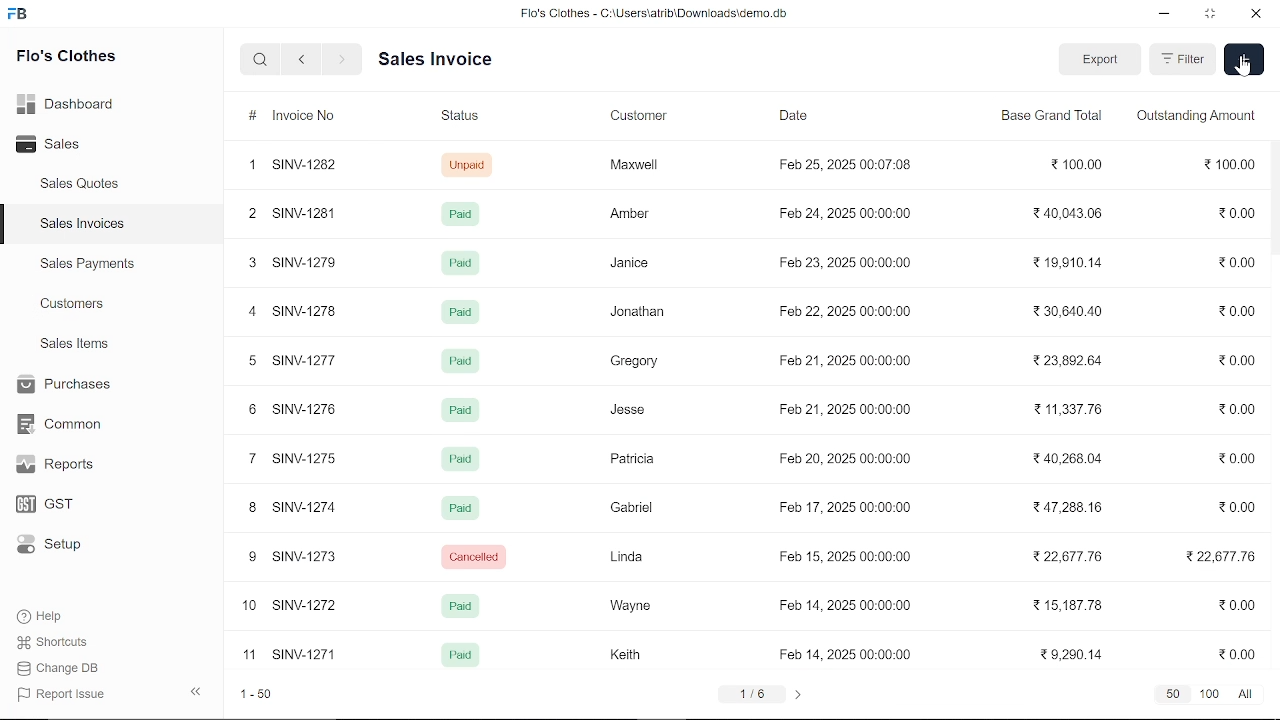  Describe the element at coordinates (751, 507) in the screenshot. I see `8 SINV-1274 Paid Gabriel Feb 17, 2025 00:00:00 247,288.16 20.00` at that location.